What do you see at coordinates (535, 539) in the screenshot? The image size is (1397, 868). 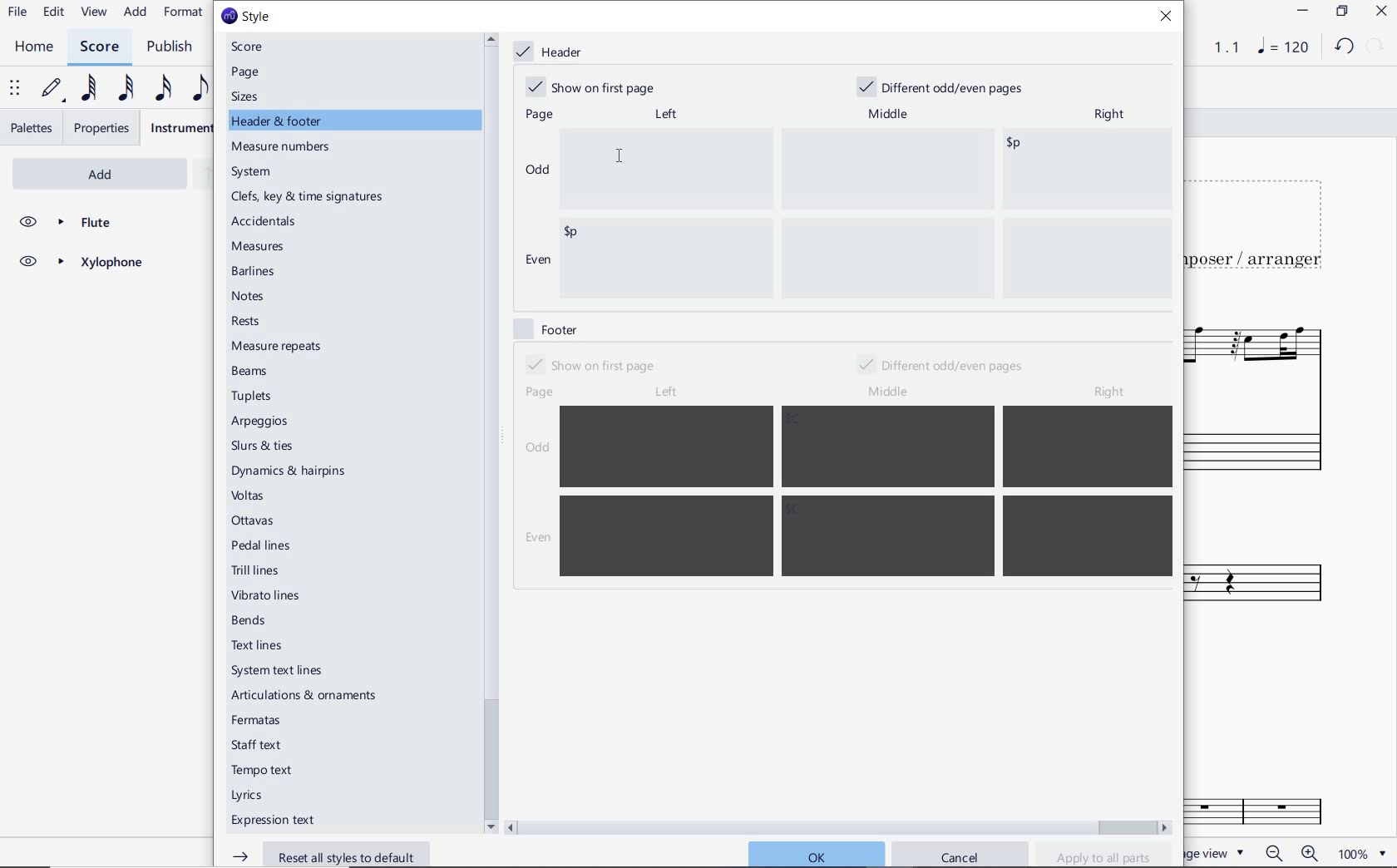 I see `even` at bounding box center [535, 539].